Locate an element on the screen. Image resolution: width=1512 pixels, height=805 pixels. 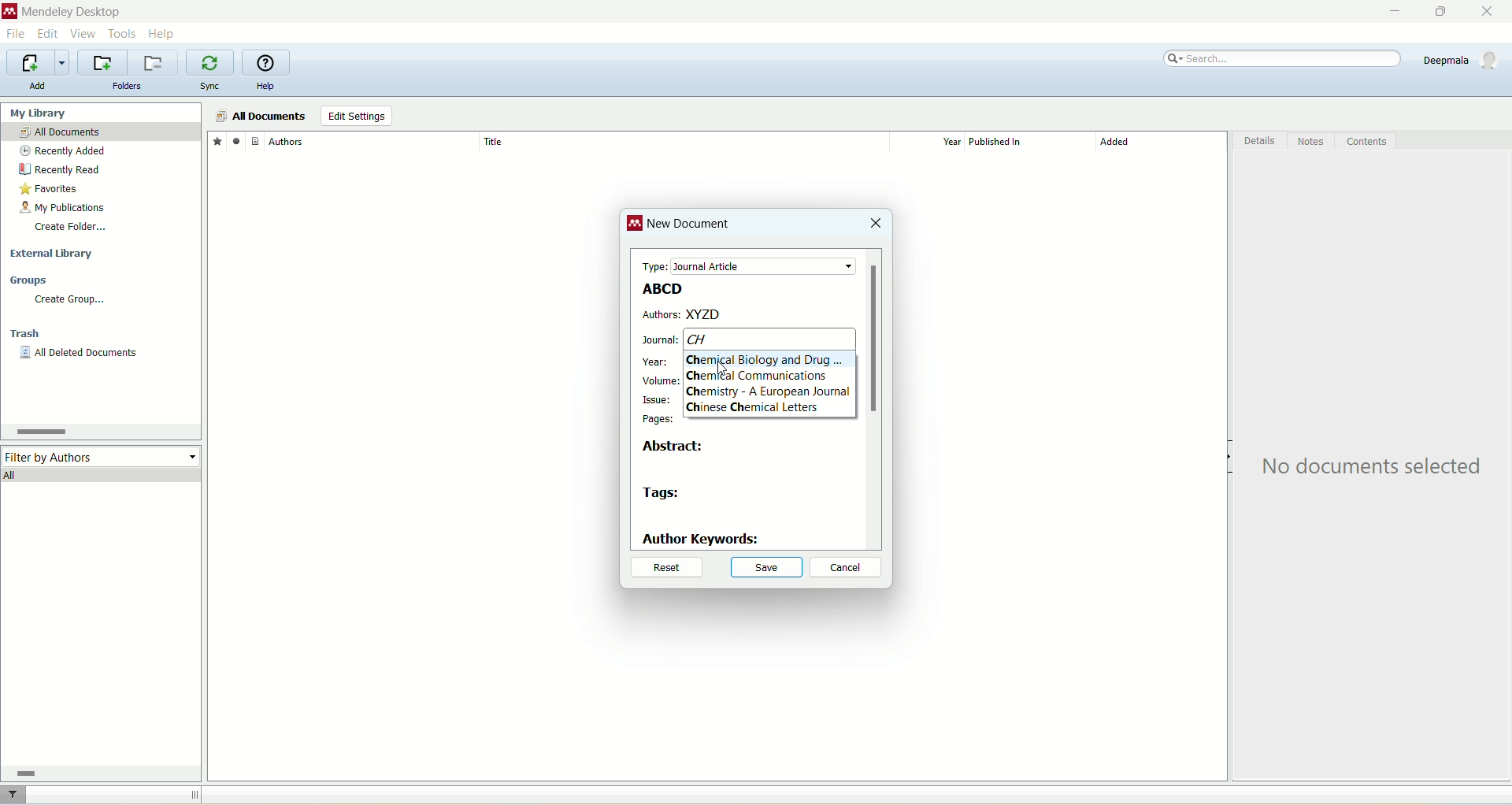
cancel is located at coordinates (847, 568).